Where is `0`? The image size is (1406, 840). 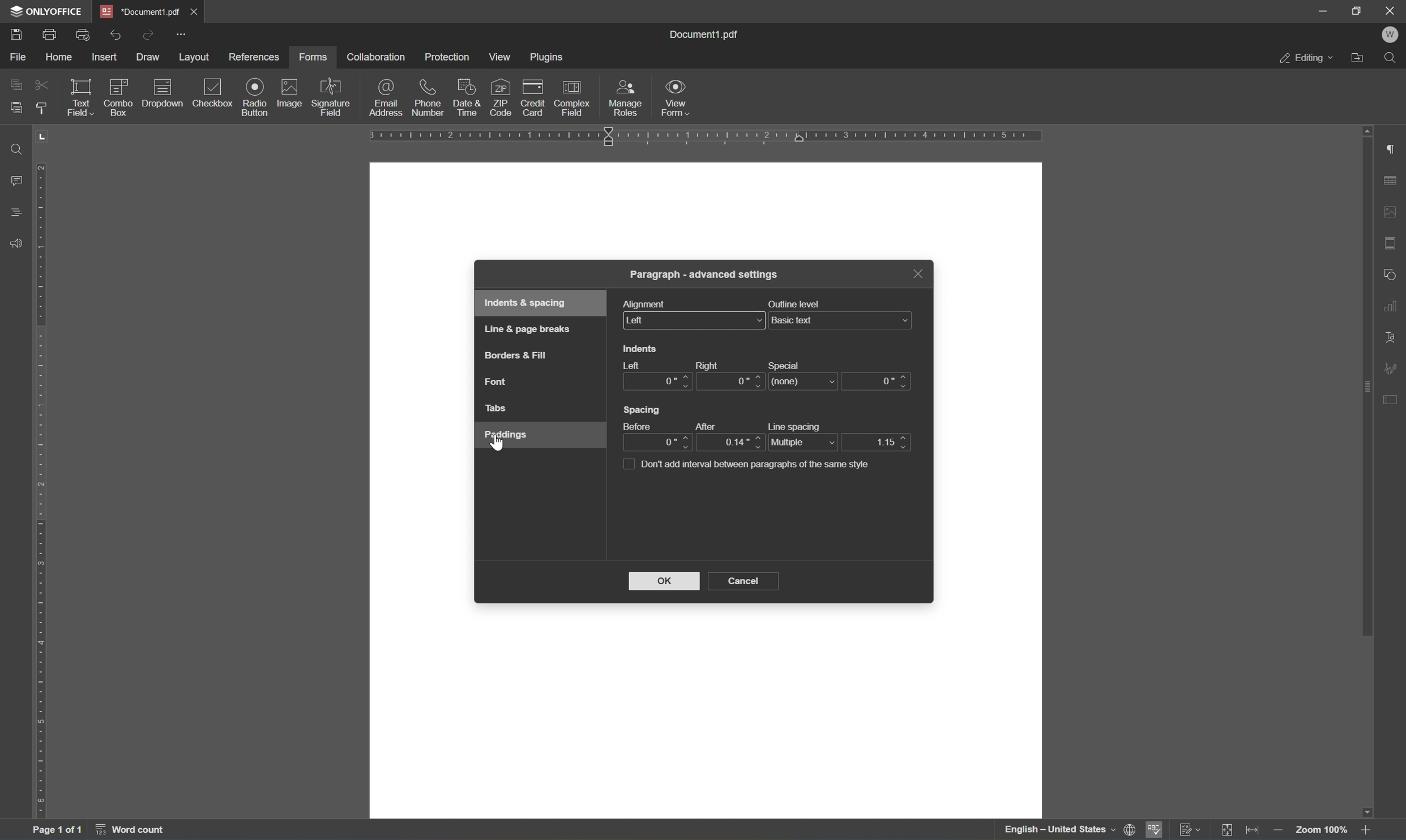 0 is located at coordinates (654, 442).